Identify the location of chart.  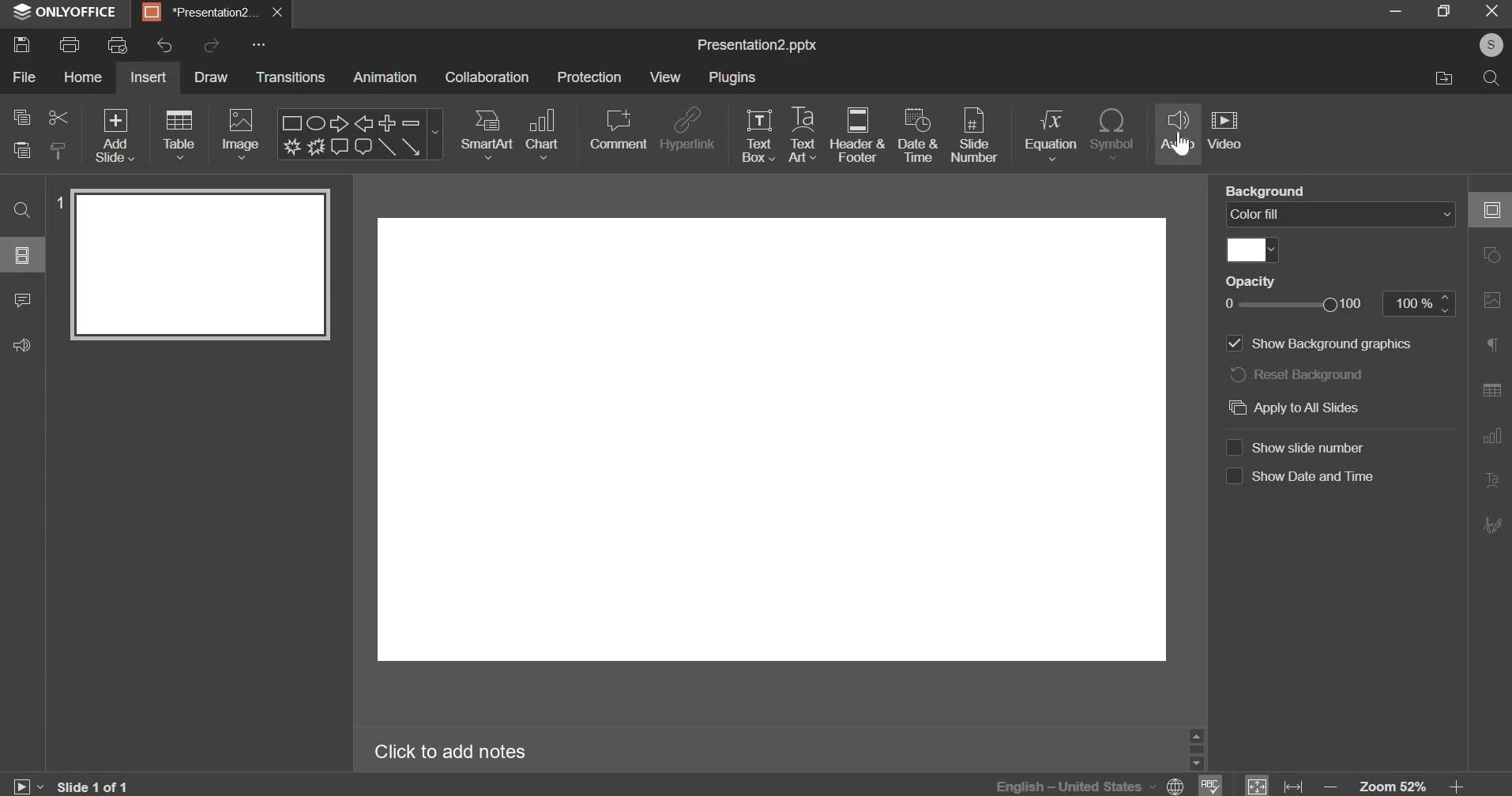
(543, 134).